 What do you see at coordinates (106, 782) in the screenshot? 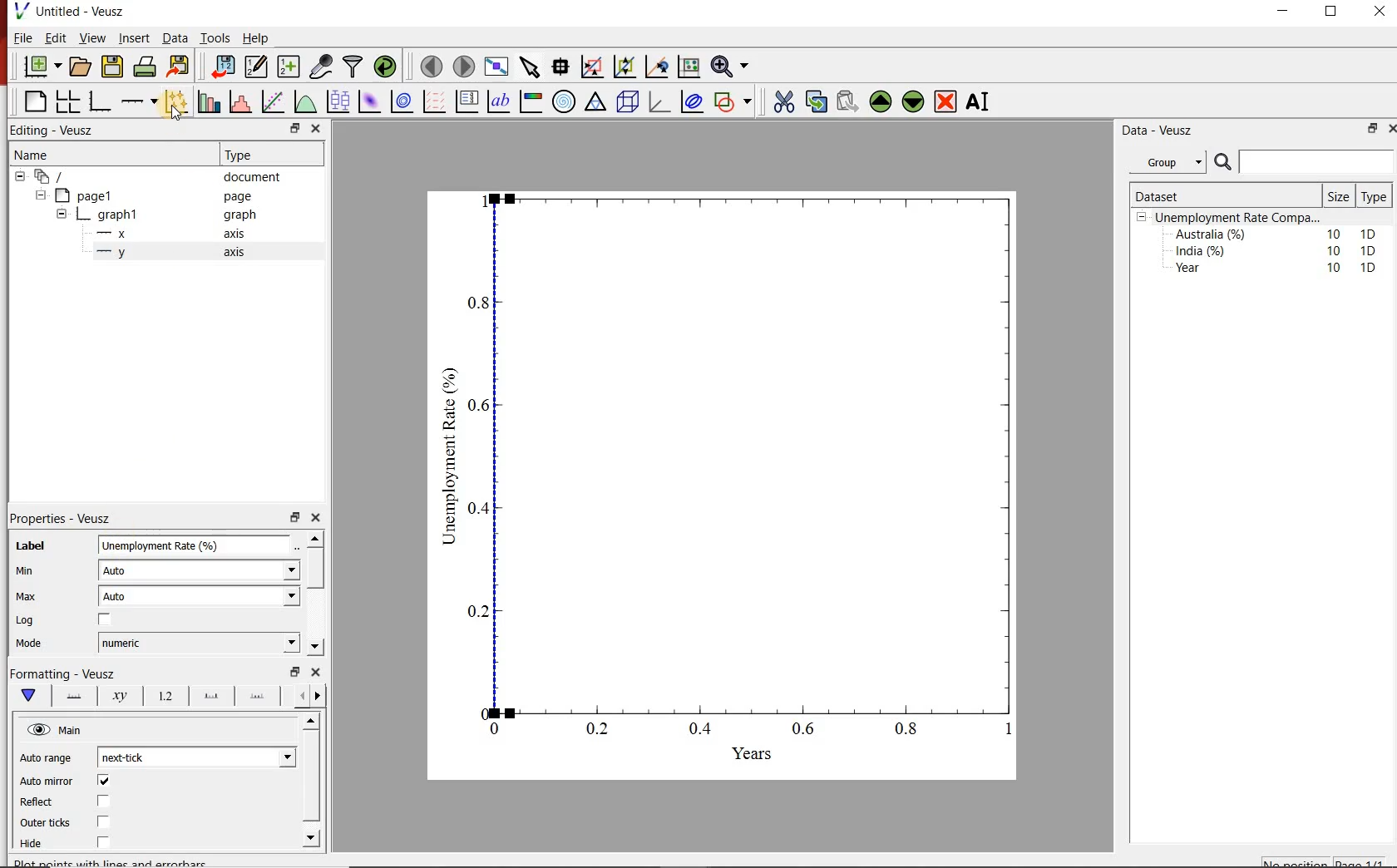
I see `checkbox` at bounding box center [106, 782].